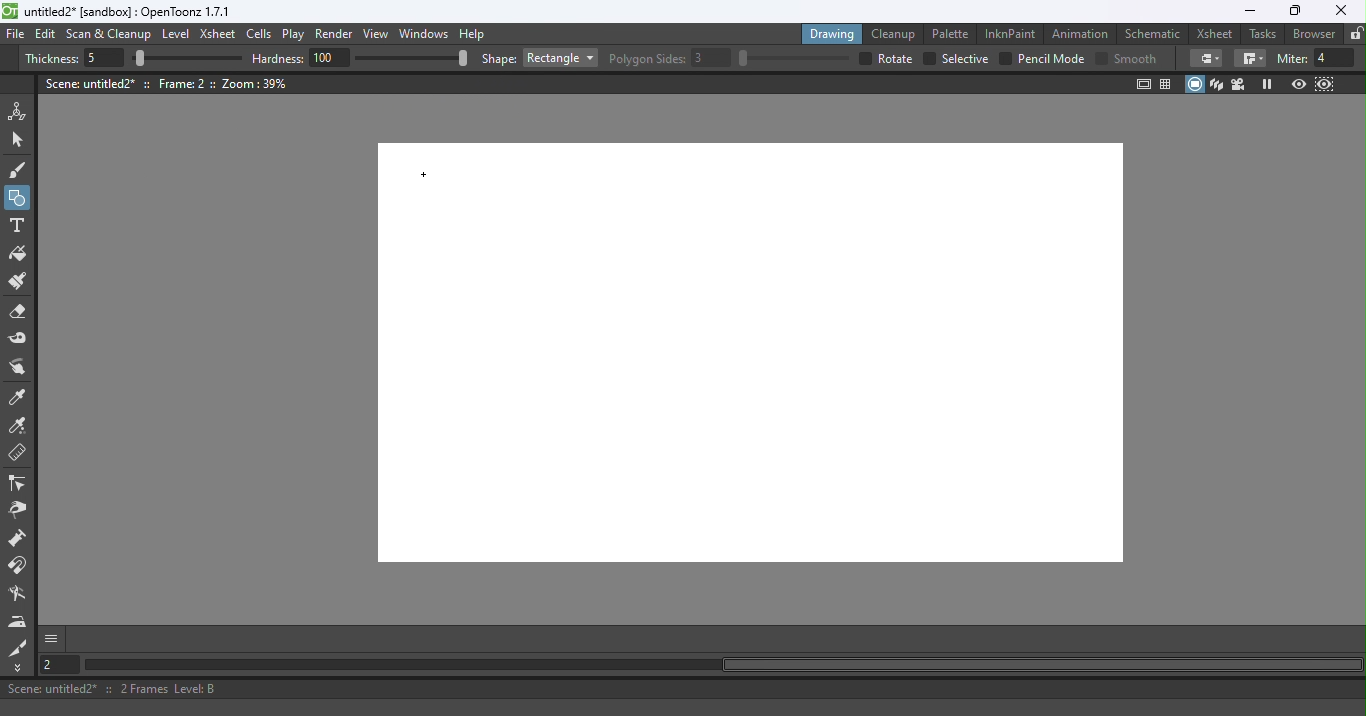 The width and height of the screenshot is (1366, 716). What do you see at coordinates (1142, 84) in the screenshot?
I see `Safe area` at bounding box center [1142, 84].